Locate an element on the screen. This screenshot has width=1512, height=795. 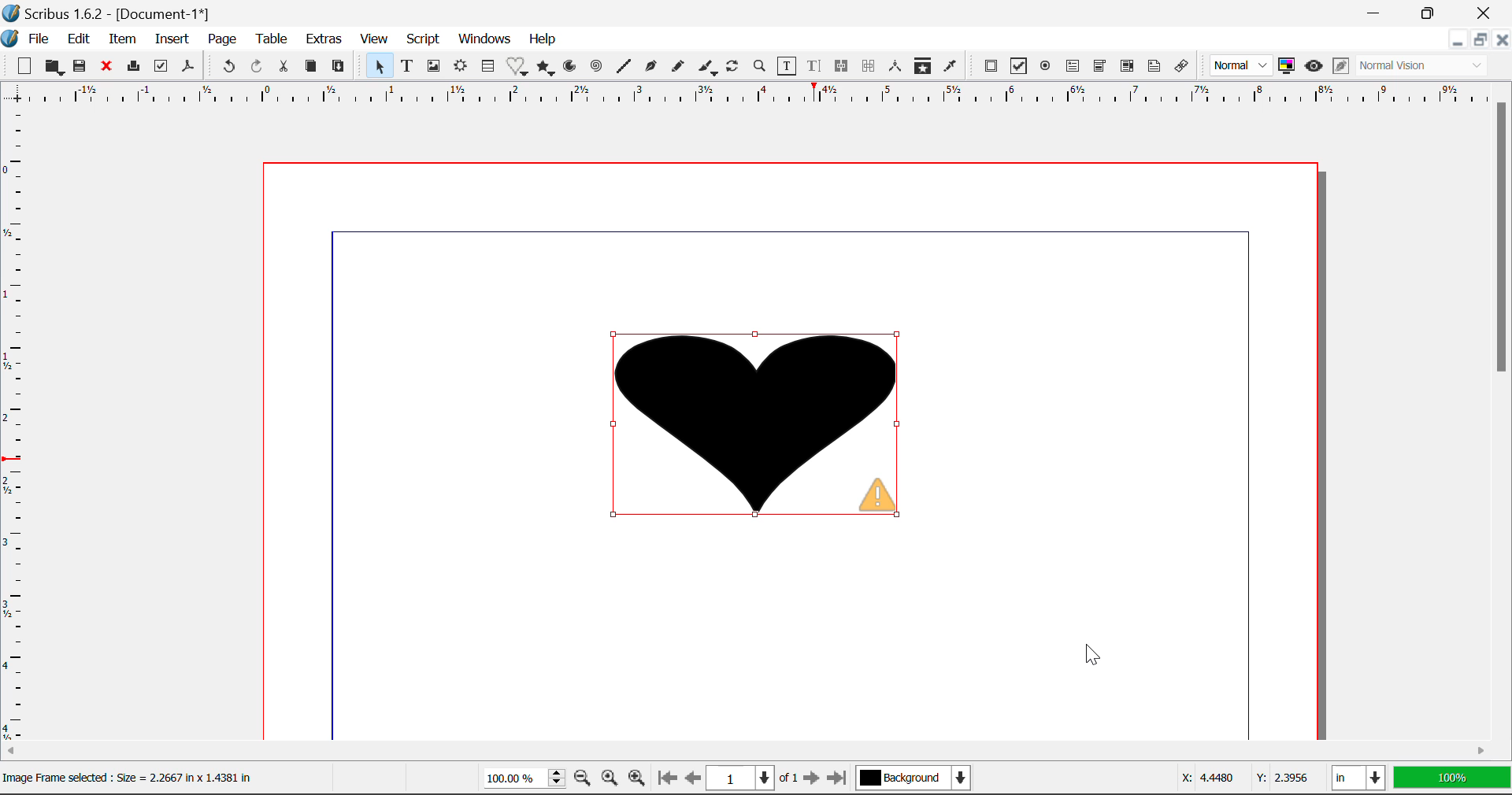
Scribus Logo is located at coordinates (9, 39).